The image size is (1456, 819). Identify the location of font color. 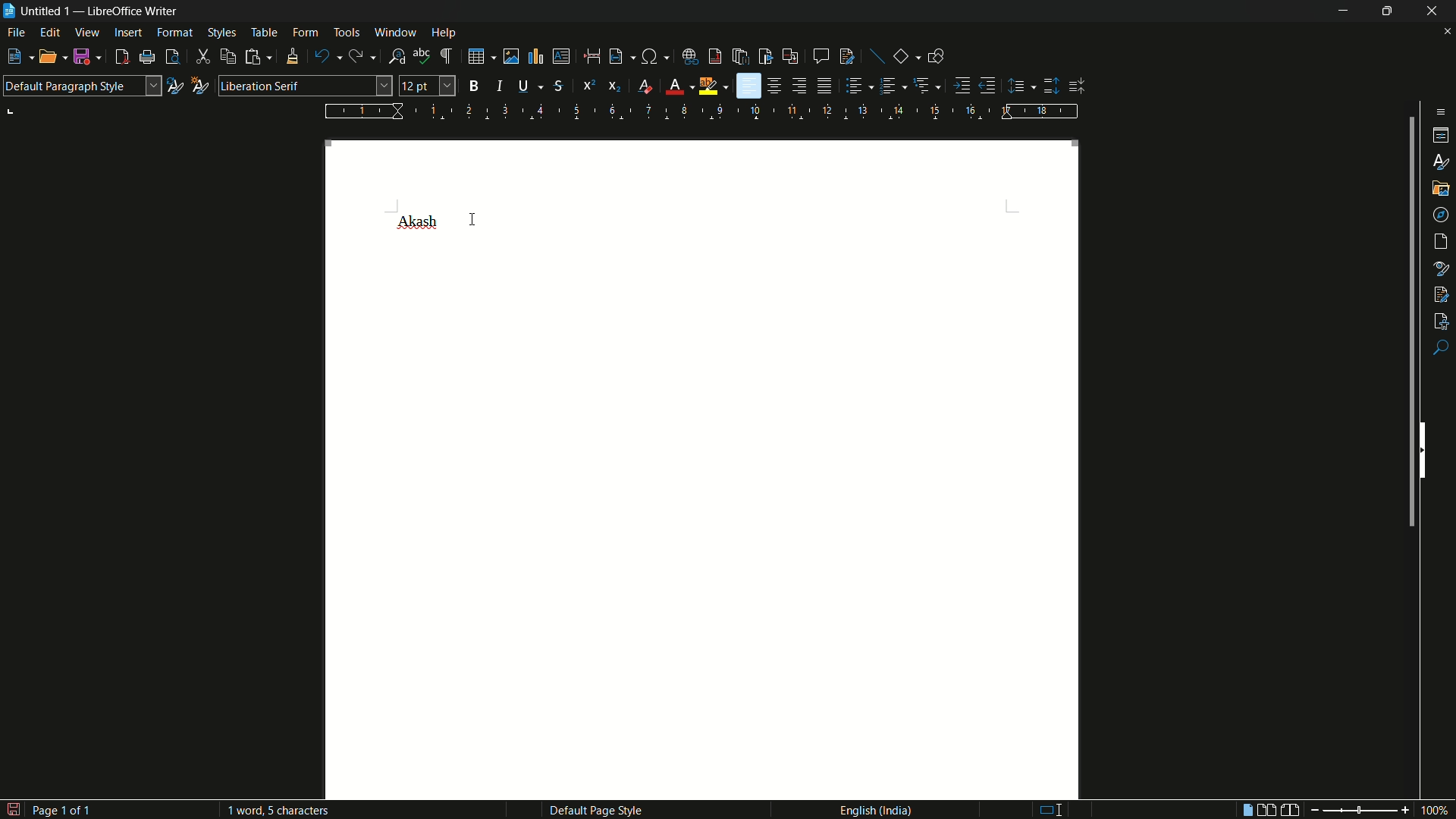
(674, 87).